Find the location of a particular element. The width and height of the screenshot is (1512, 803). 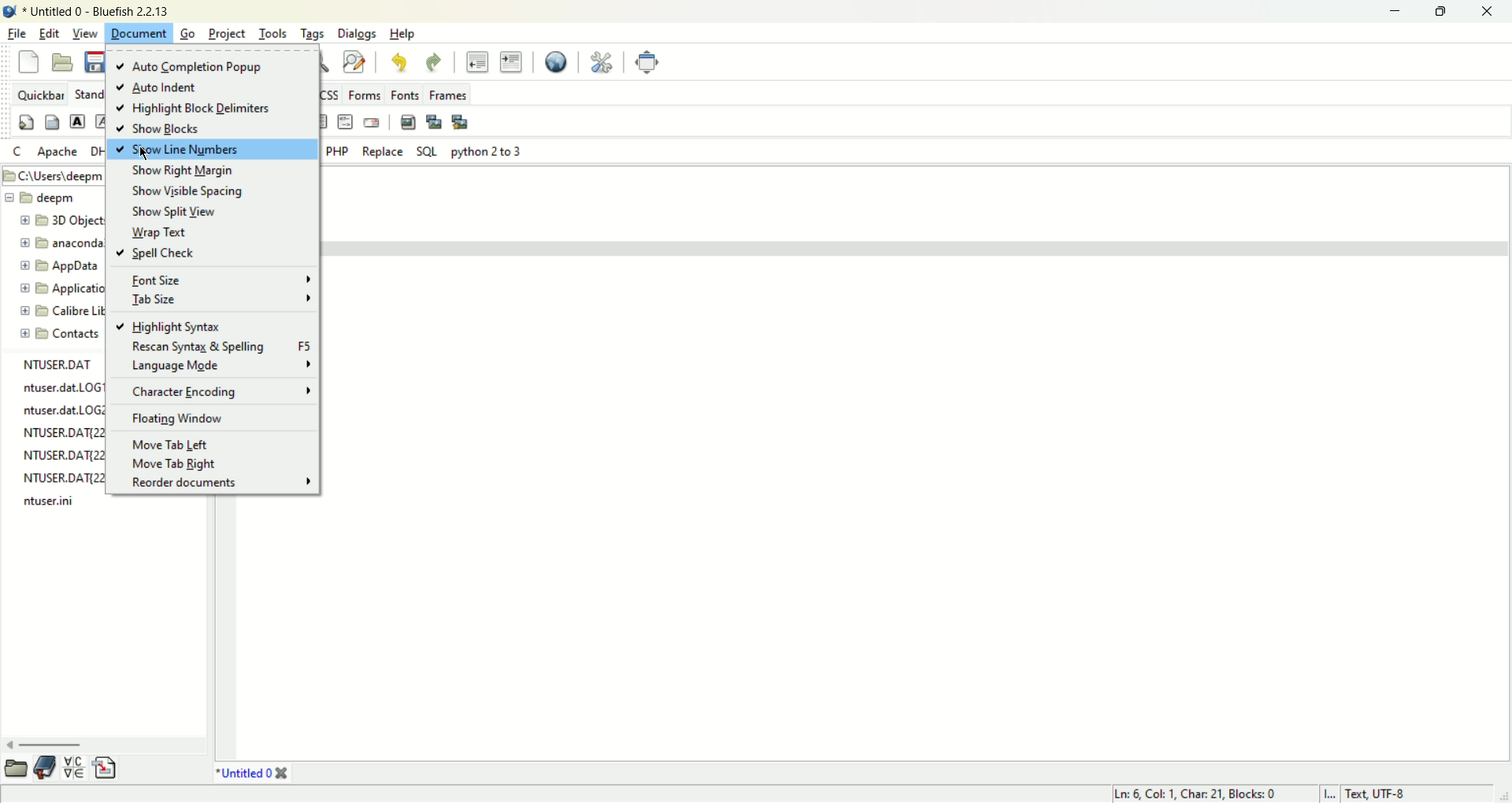

font size is located at coordinates (221, 280).